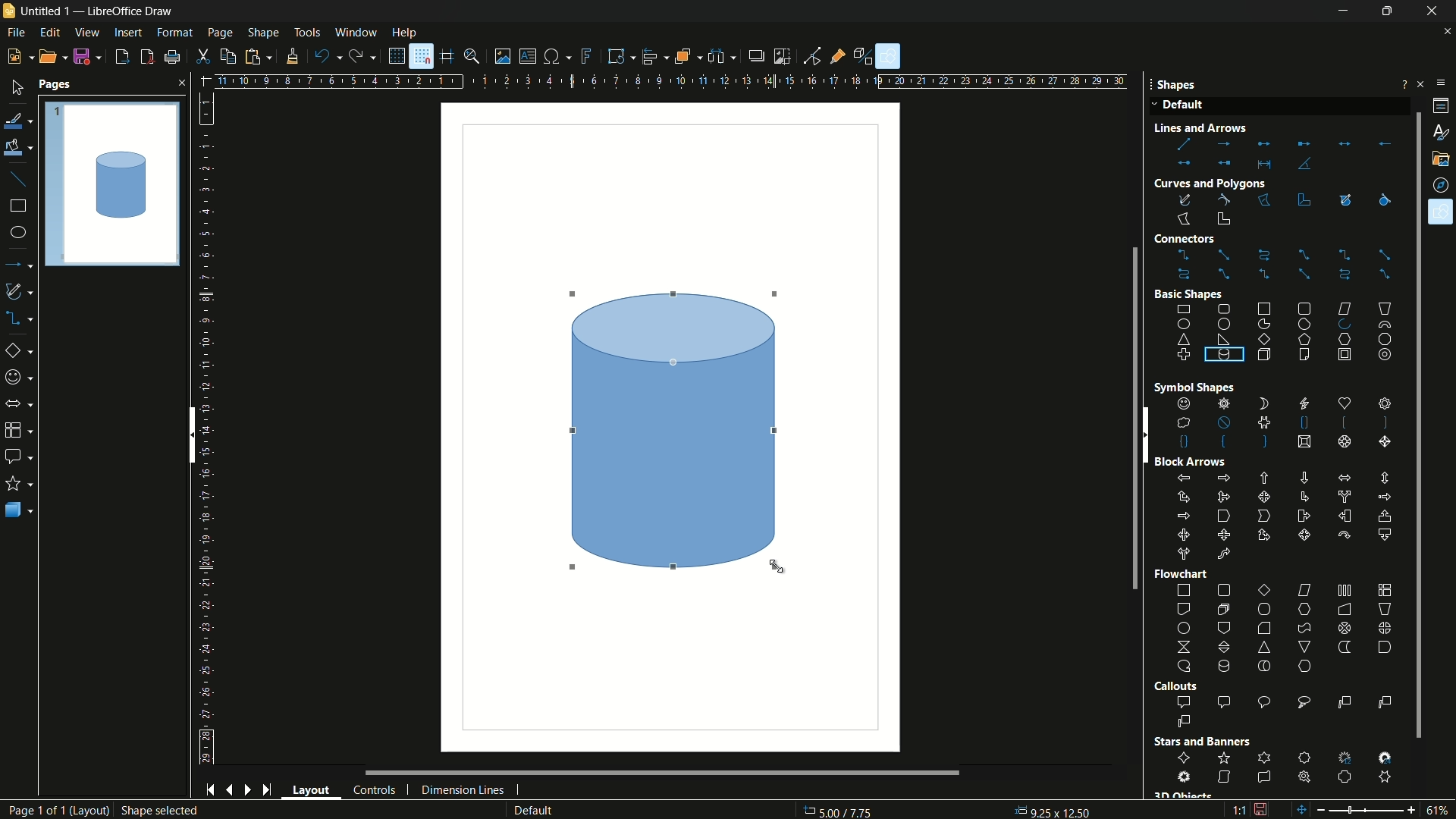 This screenshot has height=819, width=1456. Describe the element at coordinates (17, 456) in the screenshot. I see `callout shapes` at that location.